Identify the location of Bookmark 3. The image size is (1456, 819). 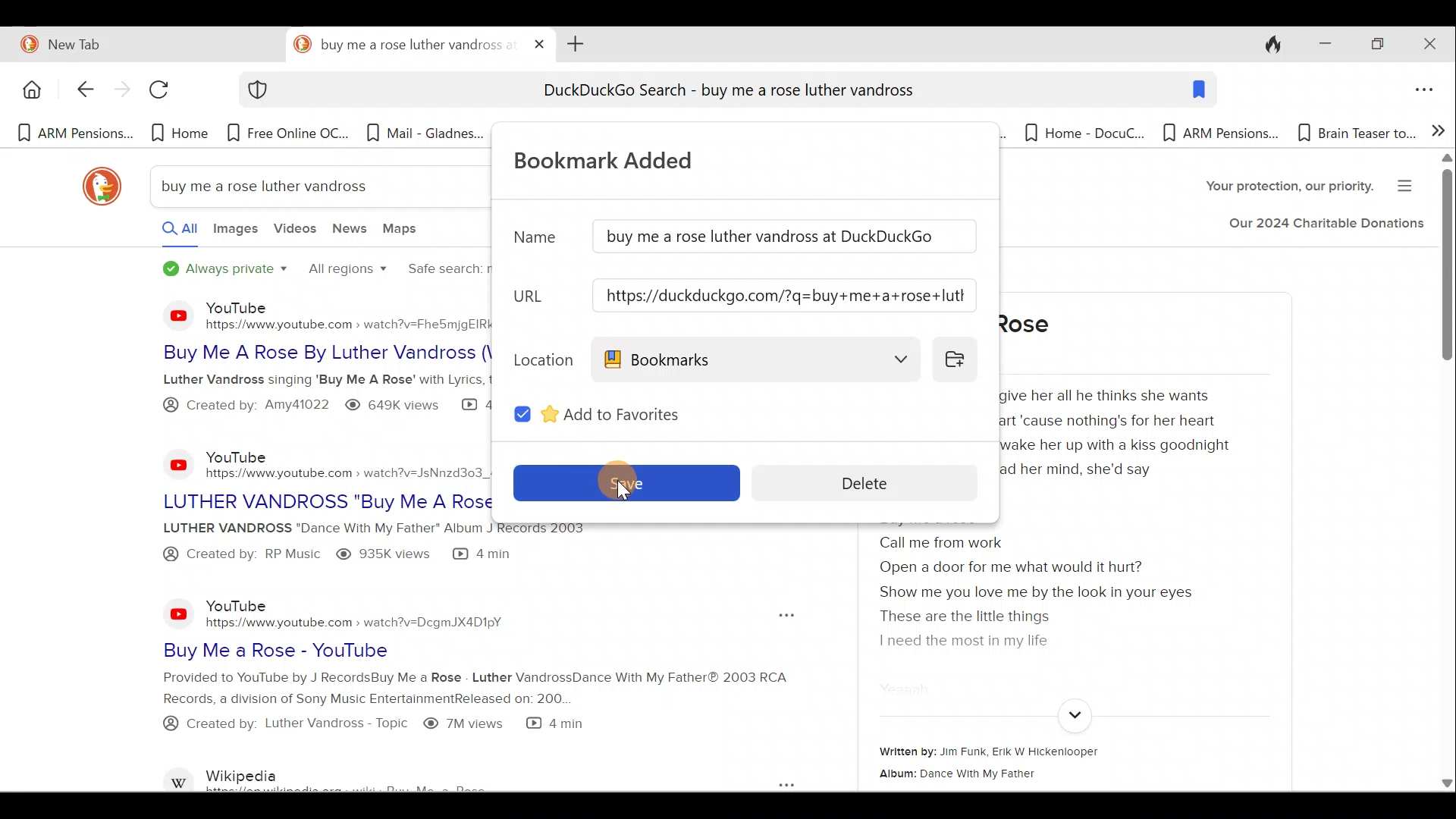
(290, 133).